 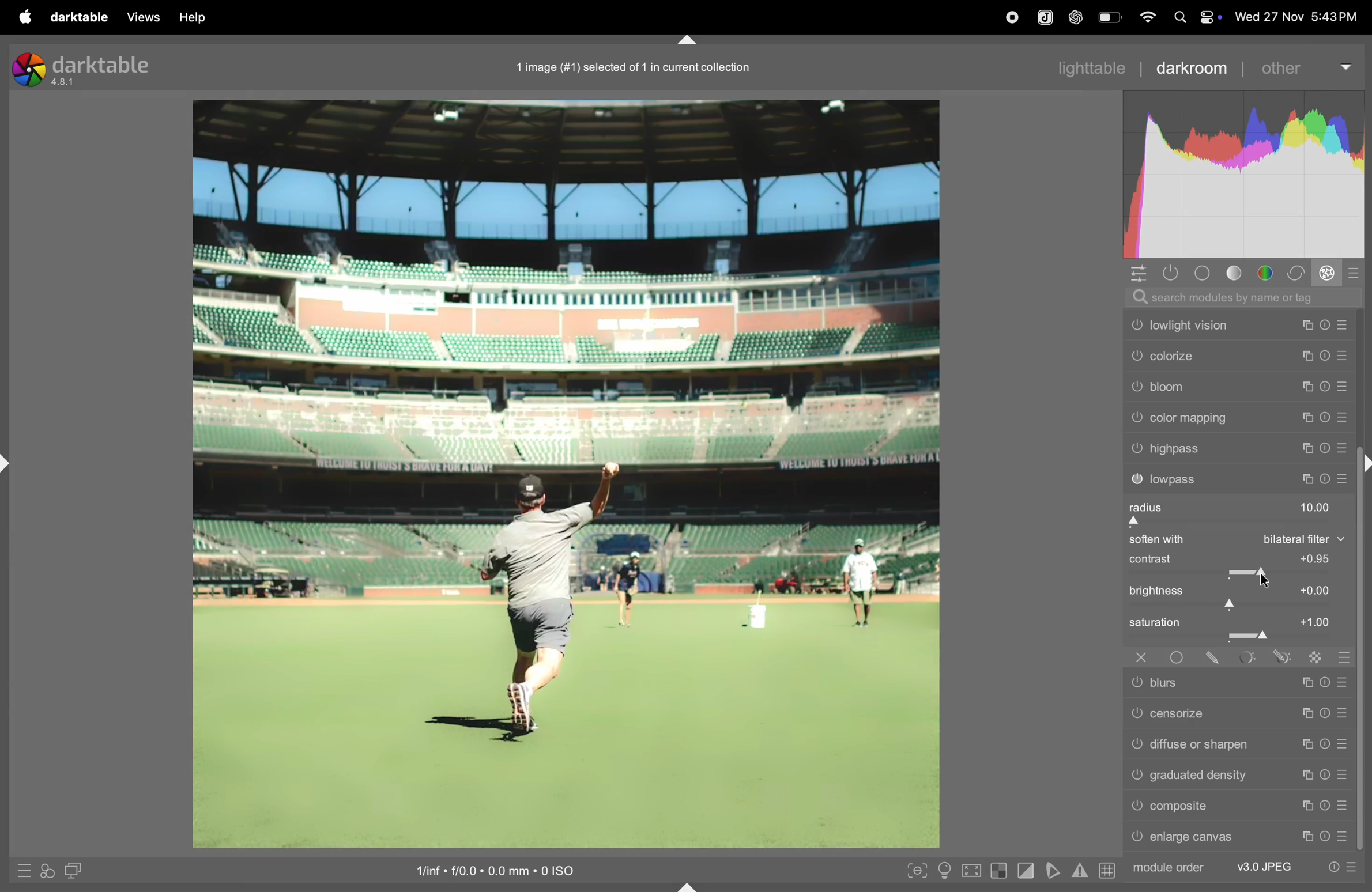 What do you see at coordinates (1238, 273) in the screenshot?
I see `tone` at bounding box center [1238, 273].